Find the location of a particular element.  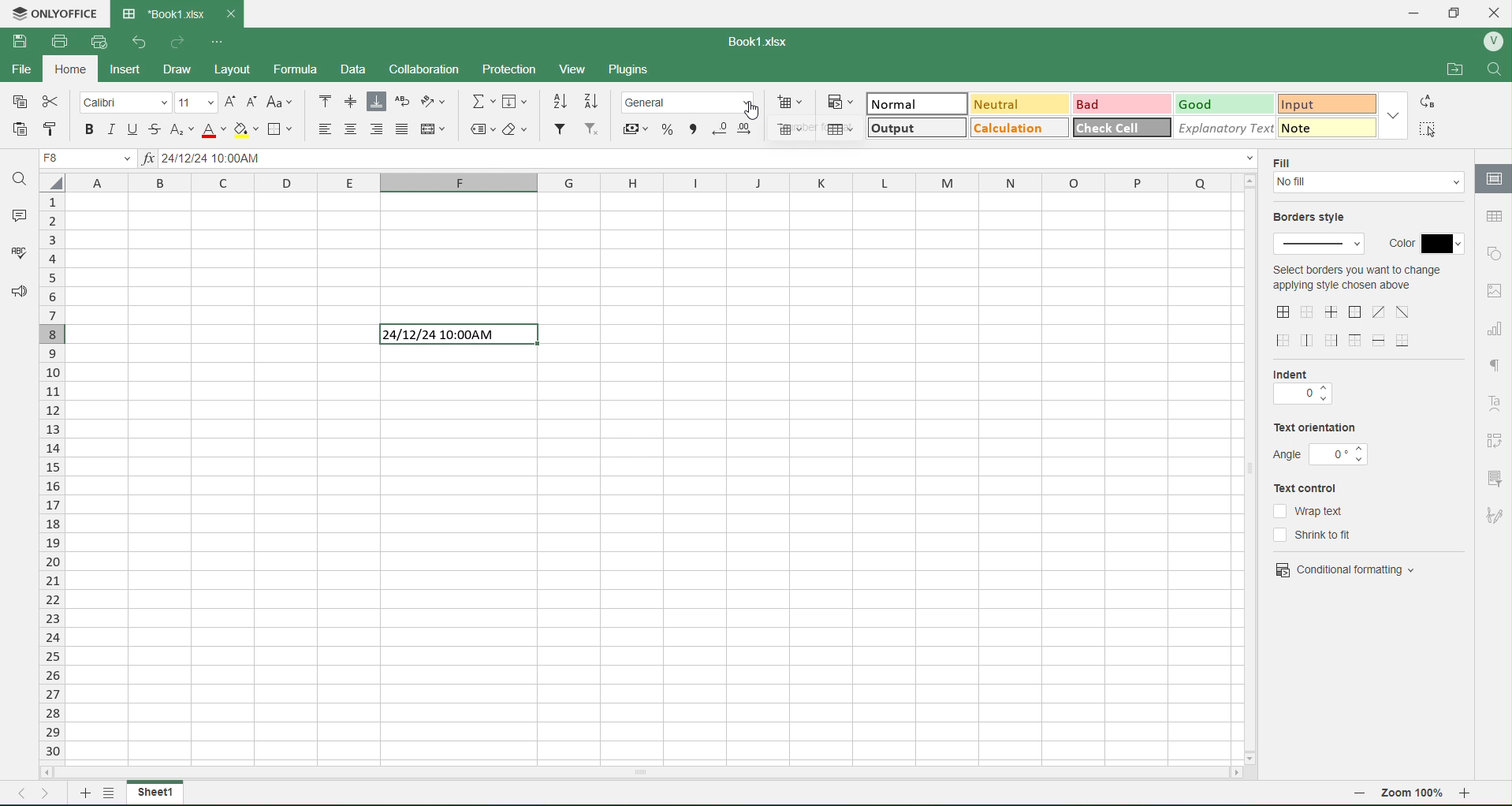

Merge and Center is located at coordinates (435, 128).